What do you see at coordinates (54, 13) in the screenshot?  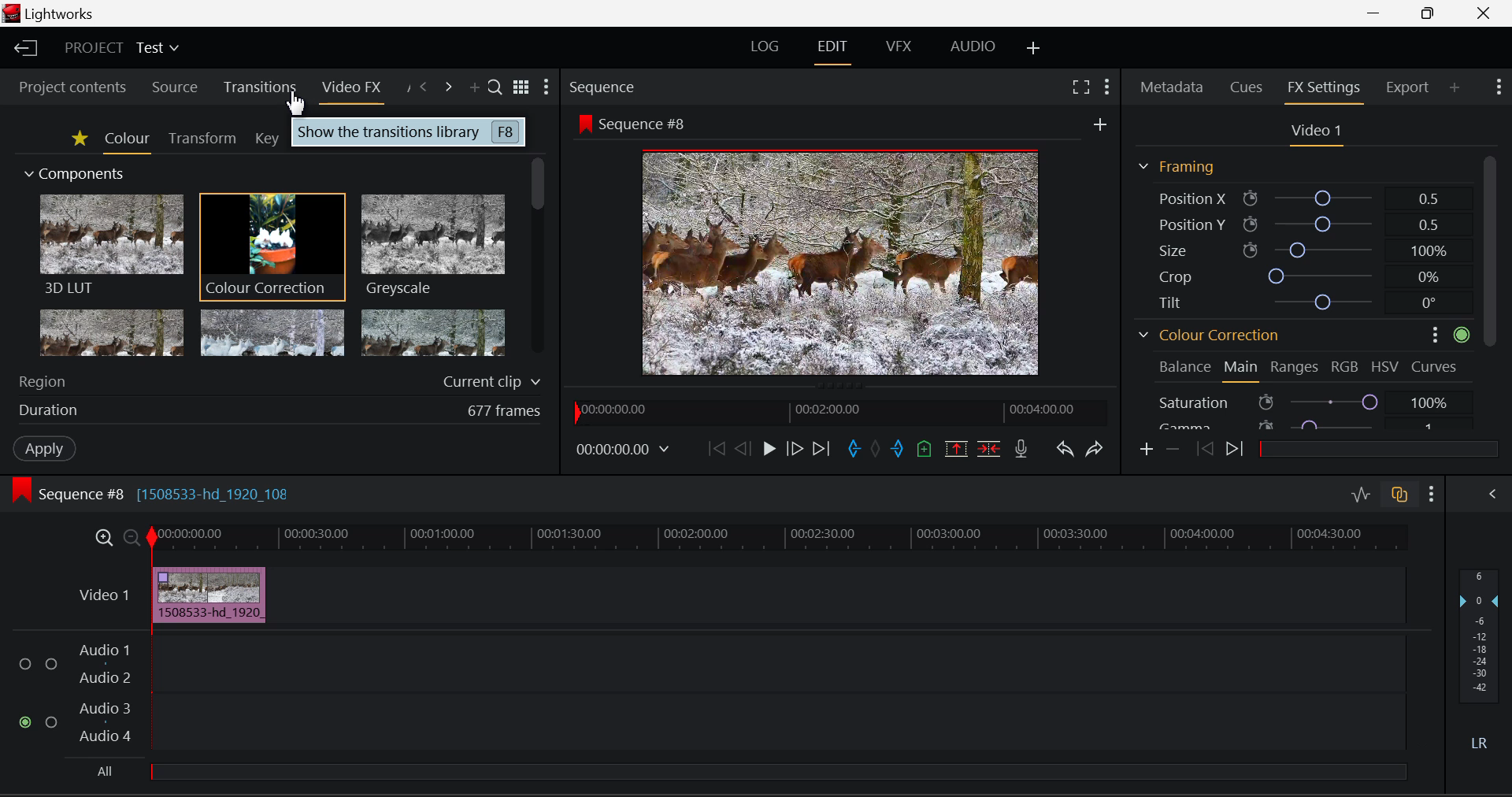 I see `Window Title` at bounding box center [54, 13].